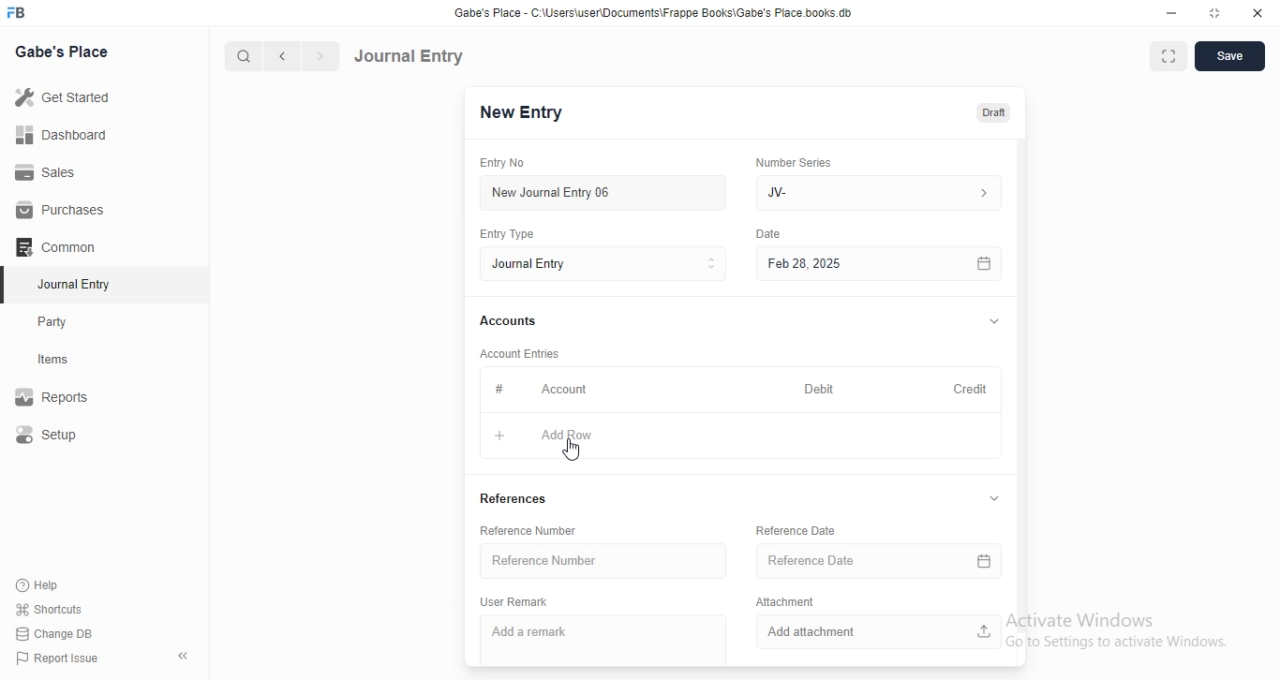 This screenshot has width=1280, height=680. What do you see at coordinates (1170, 16) in the screenshot?
I see `minimize` at bounding box center [1170, 16].